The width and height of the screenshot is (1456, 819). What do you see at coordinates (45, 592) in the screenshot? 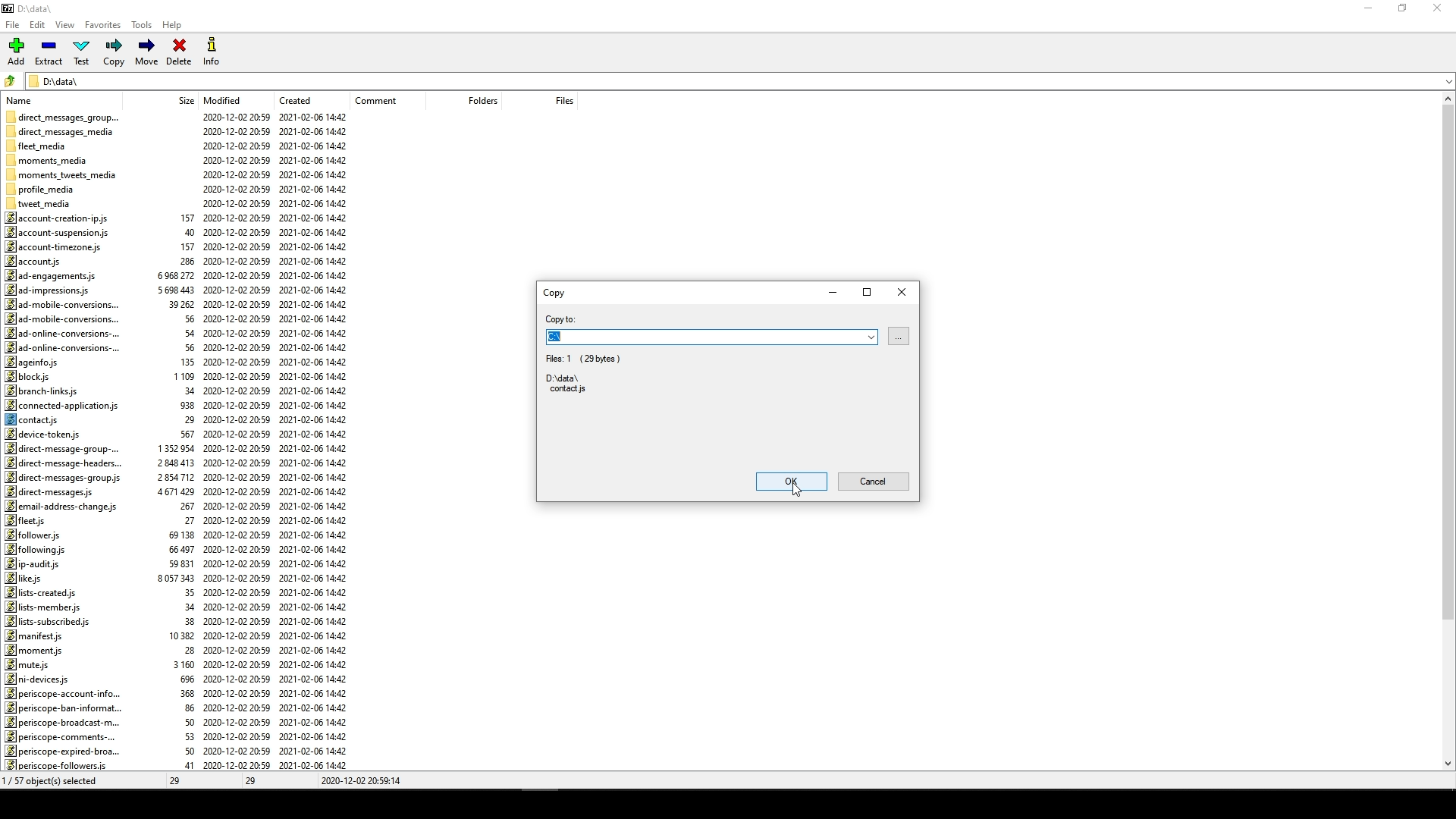
I see `lists-created.js` at bounding box center [45, 592].